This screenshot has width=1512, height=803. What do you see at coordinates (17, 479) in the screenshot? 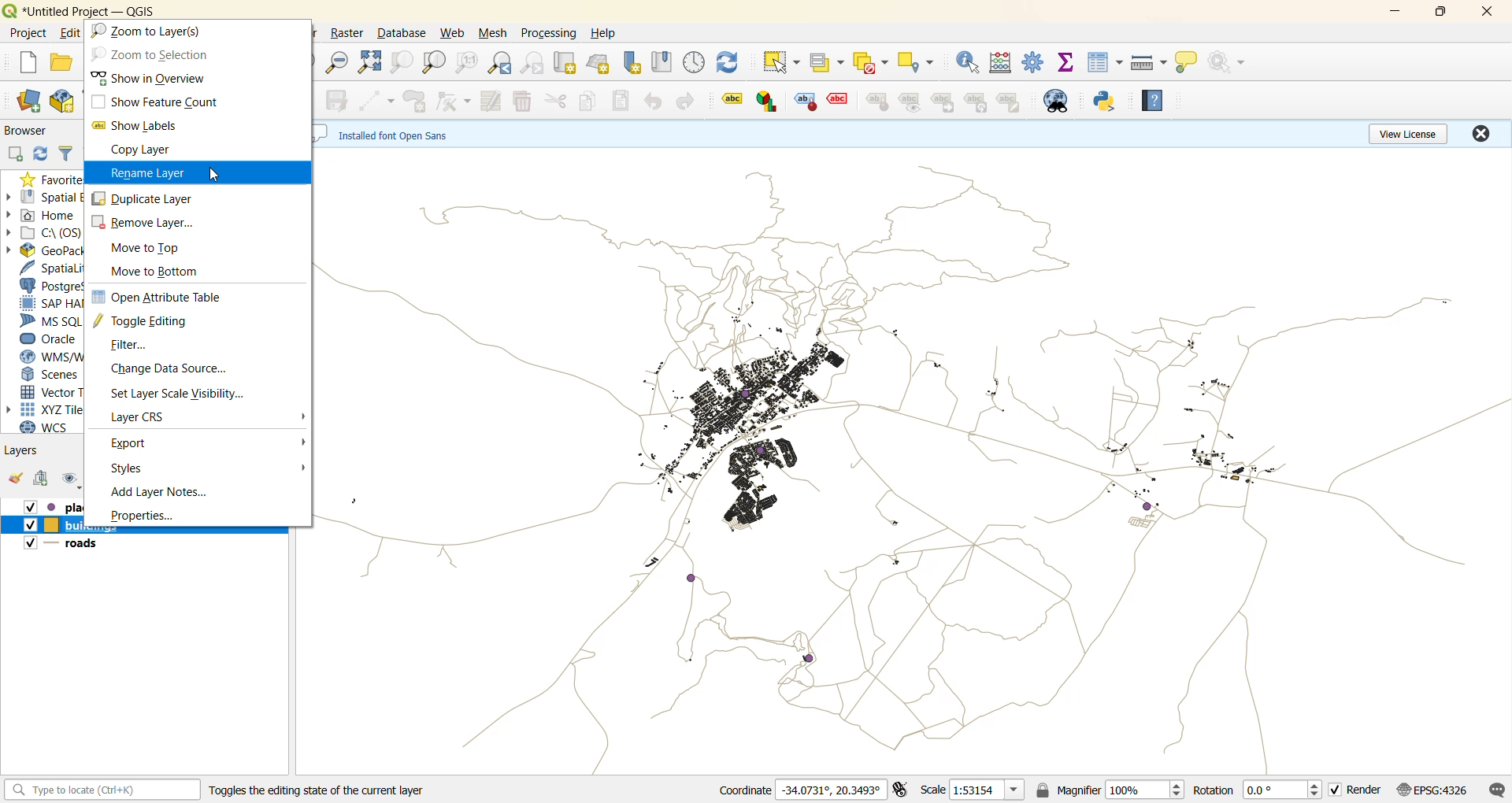
I see `open` at bounding box center [17, 479].